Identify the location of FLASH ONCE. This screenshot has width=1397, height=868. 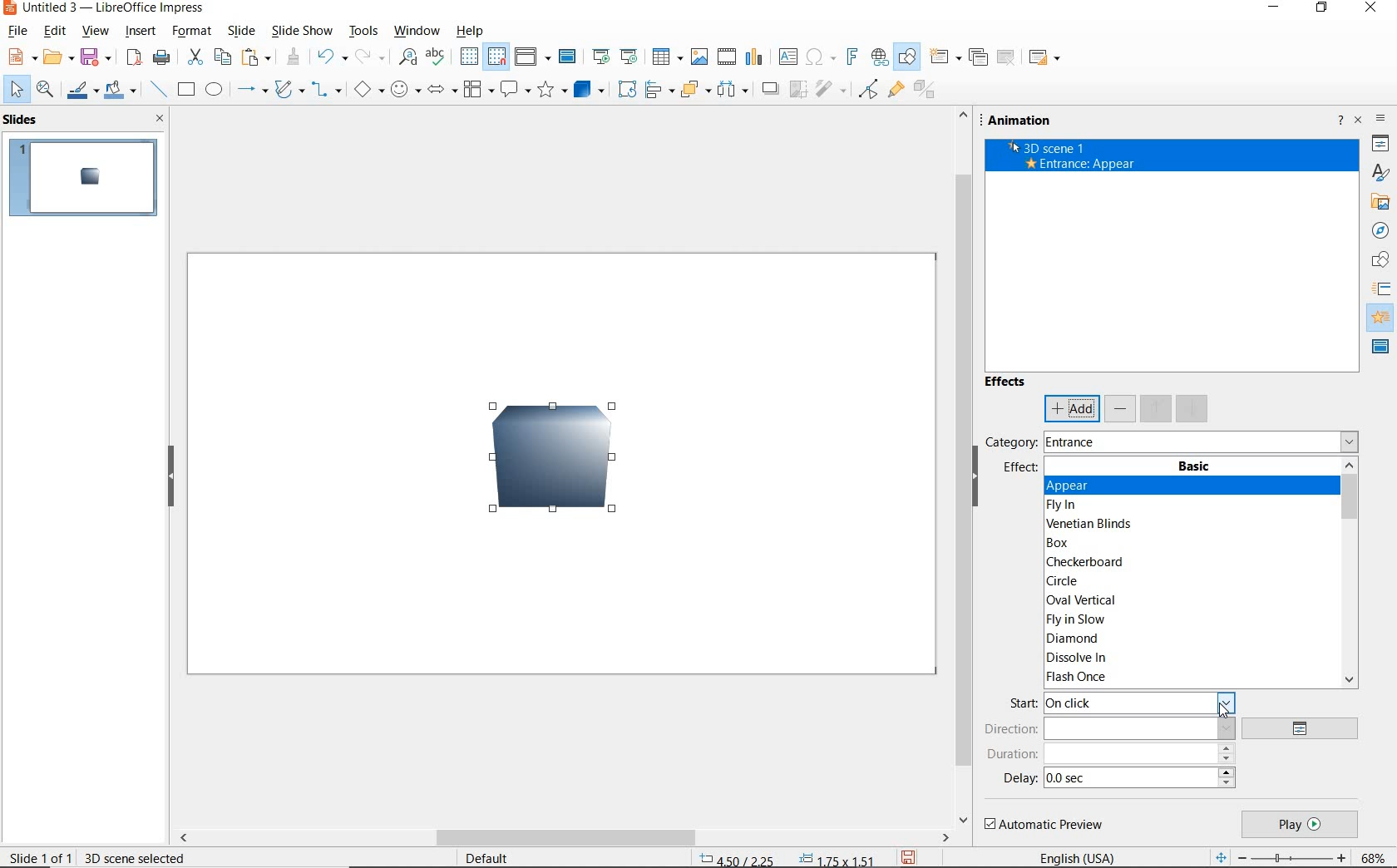
(1079, 677).